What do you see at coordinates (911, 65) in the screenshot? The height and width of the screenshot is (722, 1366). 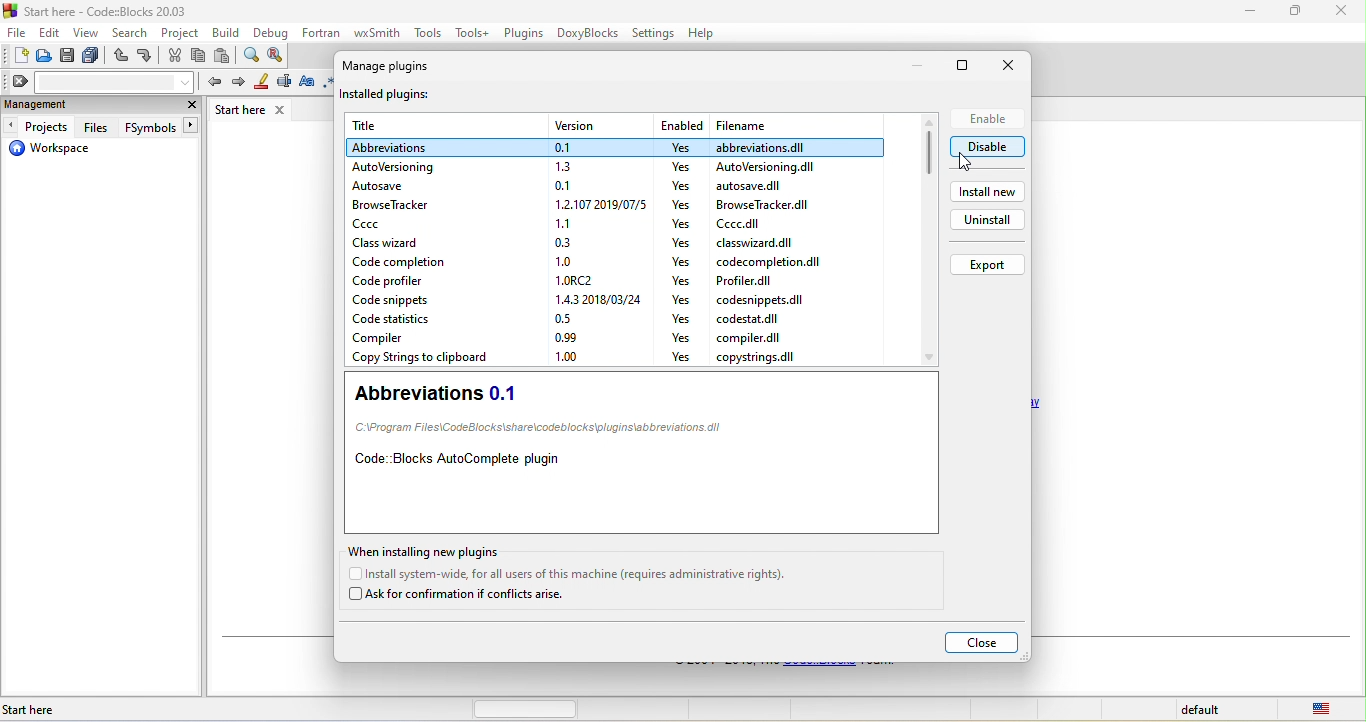 I see `minimize` at bounding box center [911, 65].